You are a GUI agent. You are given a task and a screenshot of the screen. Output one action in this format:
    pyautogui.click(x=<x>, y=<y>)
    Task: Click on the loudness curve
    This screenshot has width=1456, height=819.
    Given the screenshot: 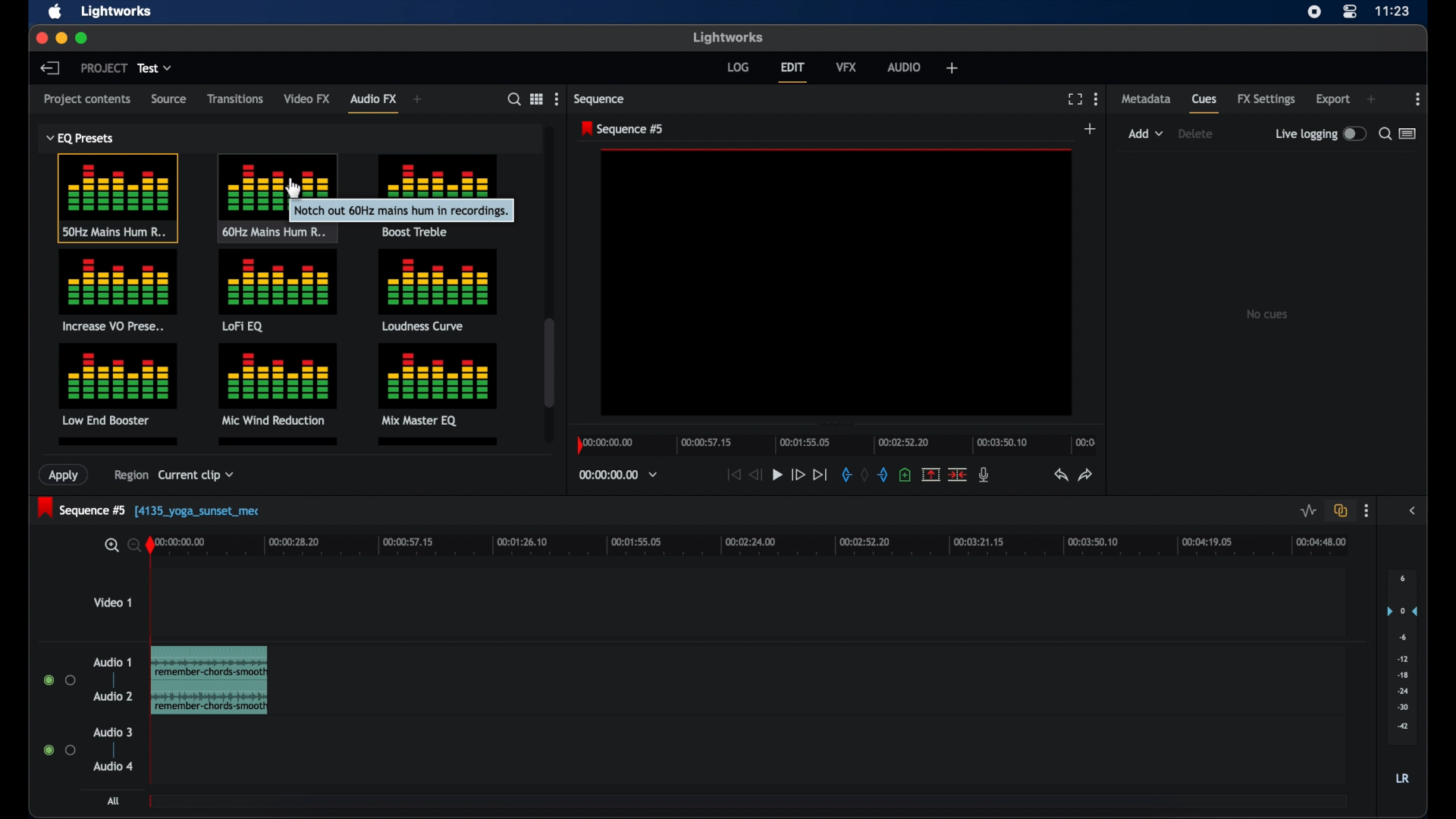 What is the action you would take?
    pyautogui.click(x=438, y=290)
    